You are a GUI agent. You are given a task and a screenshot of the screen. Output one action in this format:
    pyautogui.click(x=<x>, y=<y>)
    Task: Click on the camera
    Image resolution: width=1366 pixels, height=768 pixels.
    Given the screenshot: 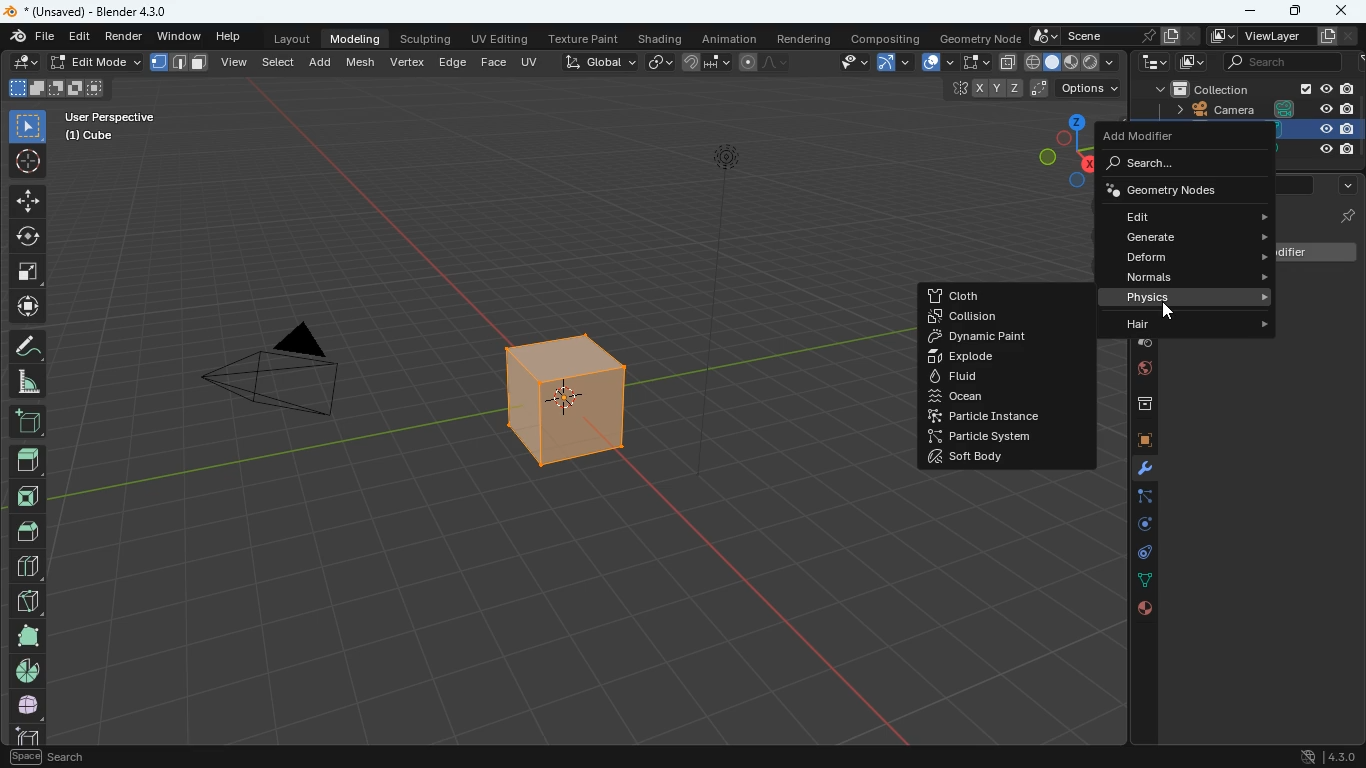 What is the action you would take?
    pyautogui.click(x=272, y=376)
    